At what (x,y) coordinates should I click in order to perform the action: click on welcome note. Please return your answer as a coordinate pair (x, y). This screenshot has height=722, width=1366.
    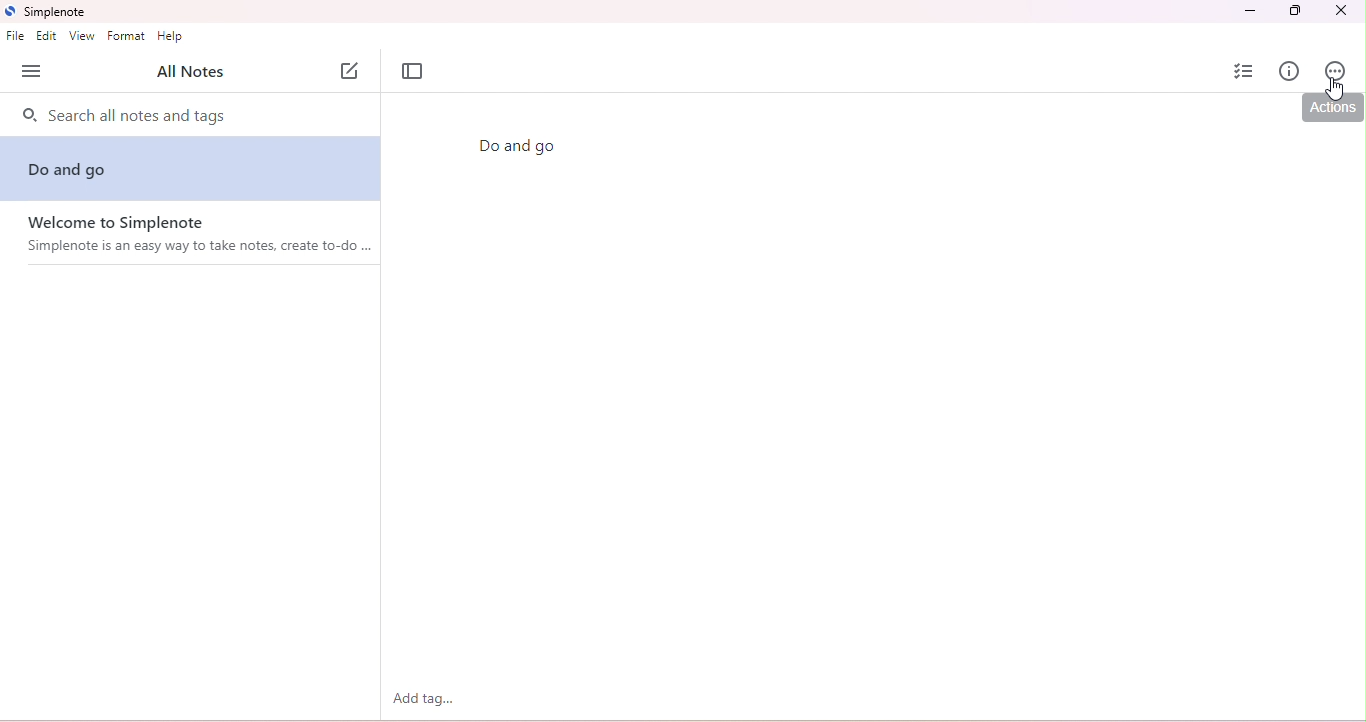
    Looking at the image, I should click on (196, 235).